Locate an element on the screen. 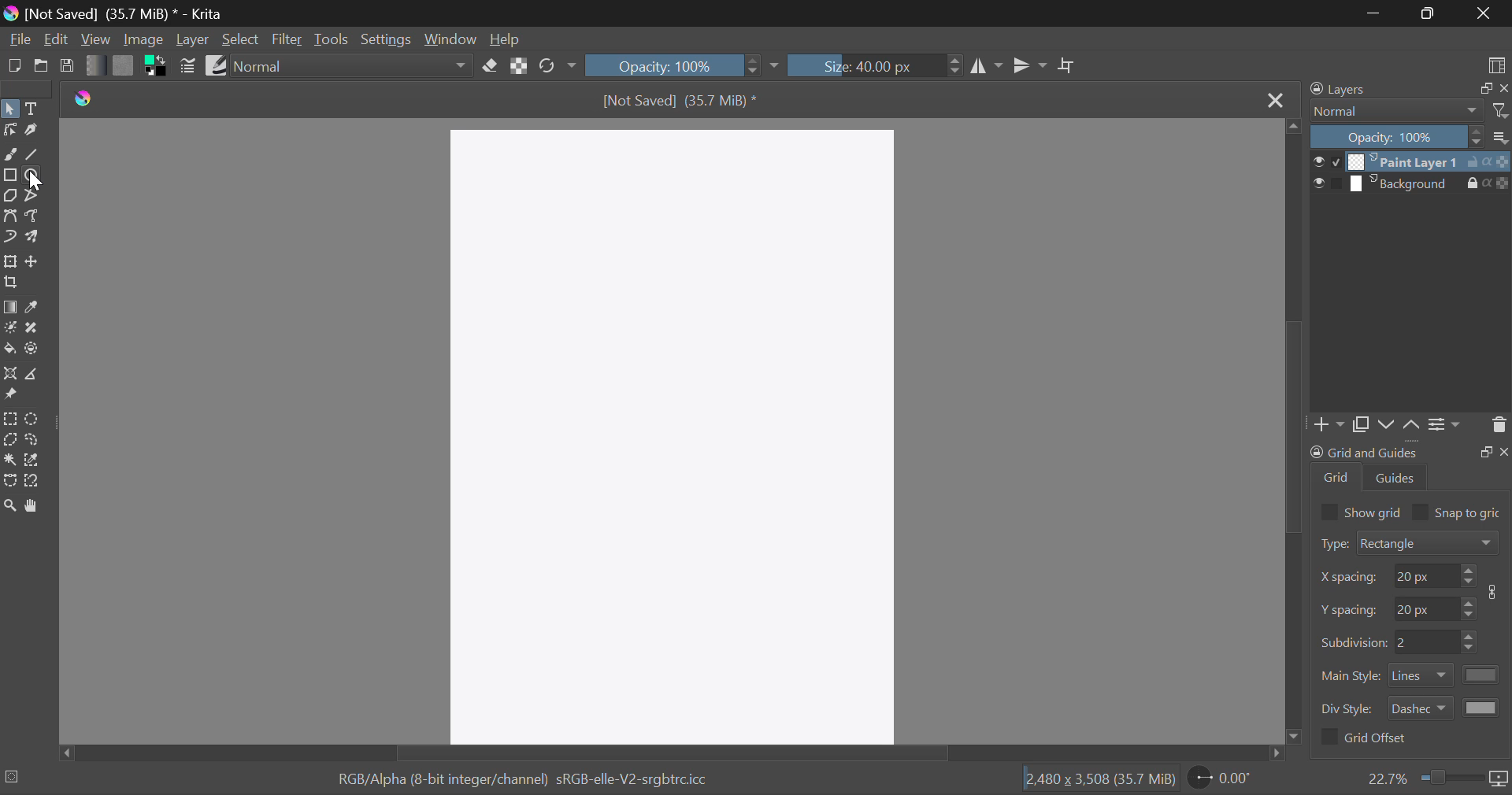 Image resolution: width=1512 pixels, height=795 pixels. Close is located at coordinates (1274, 100).